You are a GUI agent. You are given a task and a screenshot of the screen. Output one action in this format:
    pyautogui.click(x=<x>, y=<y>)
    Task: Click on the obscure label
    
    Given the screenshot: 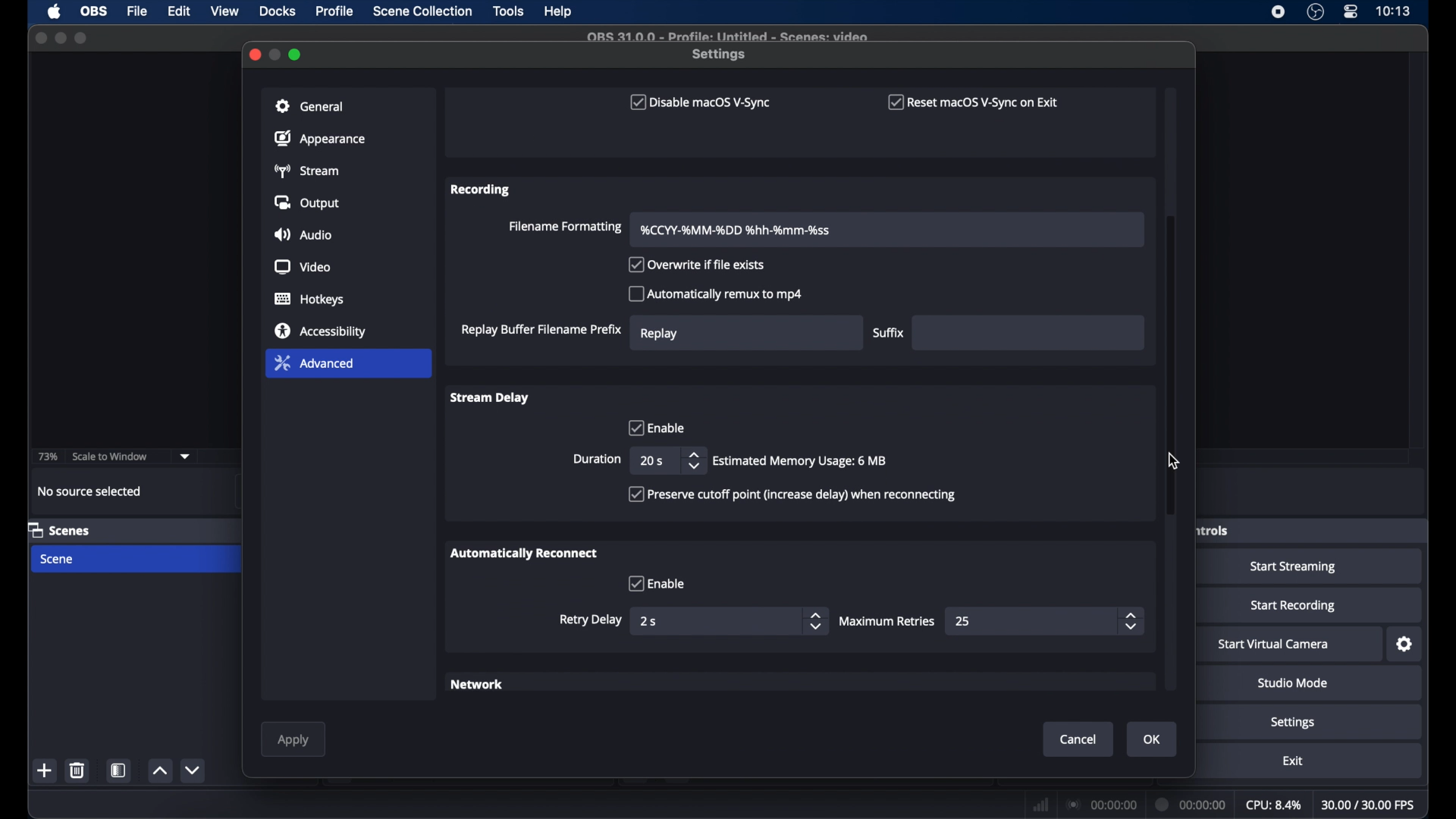 What is the action you would take?
    pyautogui.click(x=1210, y=529)
    